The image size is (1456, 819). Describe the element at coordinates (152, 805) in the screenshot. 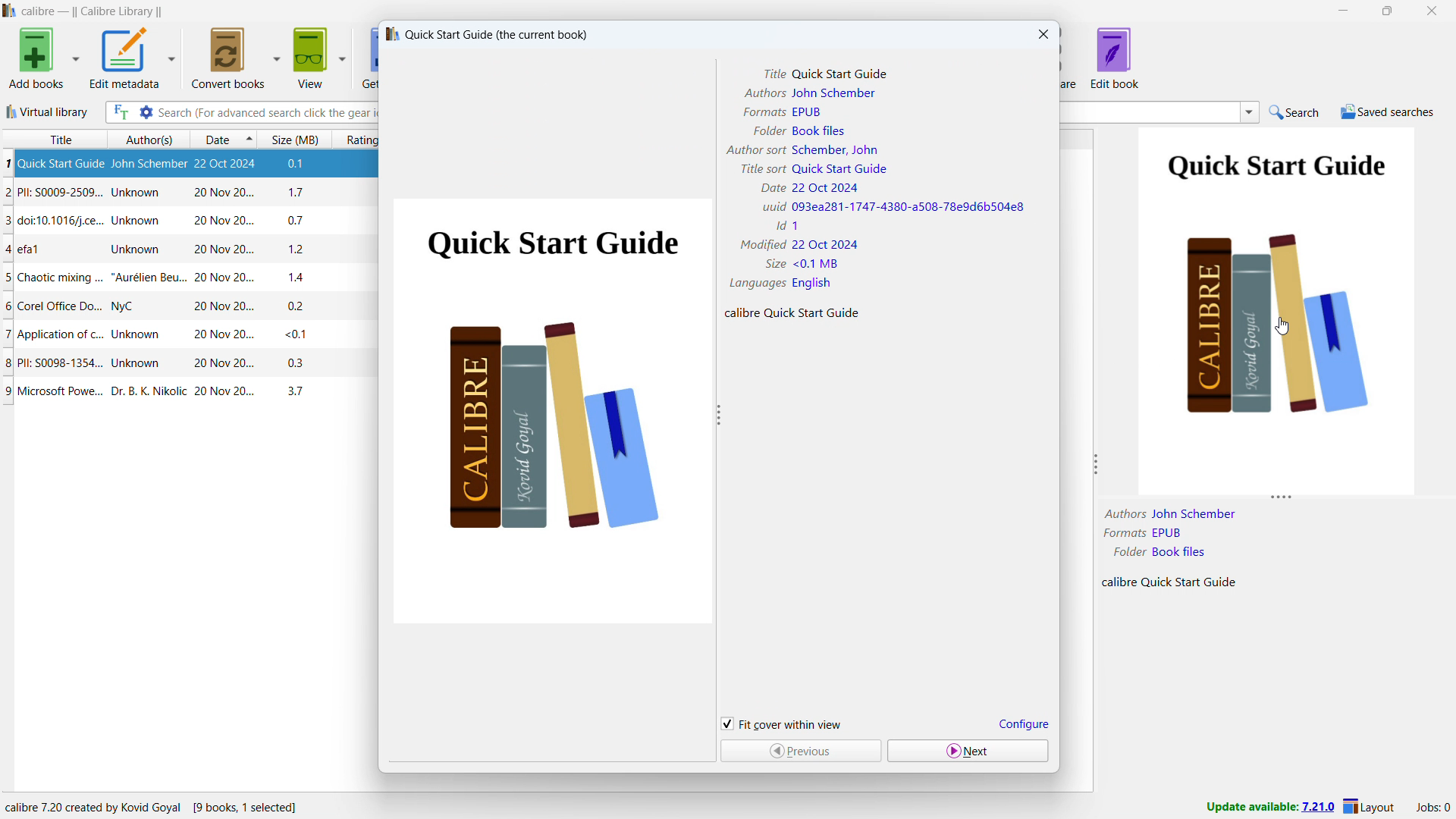

I see `alibre 7.20 created by Kovid Goyal` at that location.